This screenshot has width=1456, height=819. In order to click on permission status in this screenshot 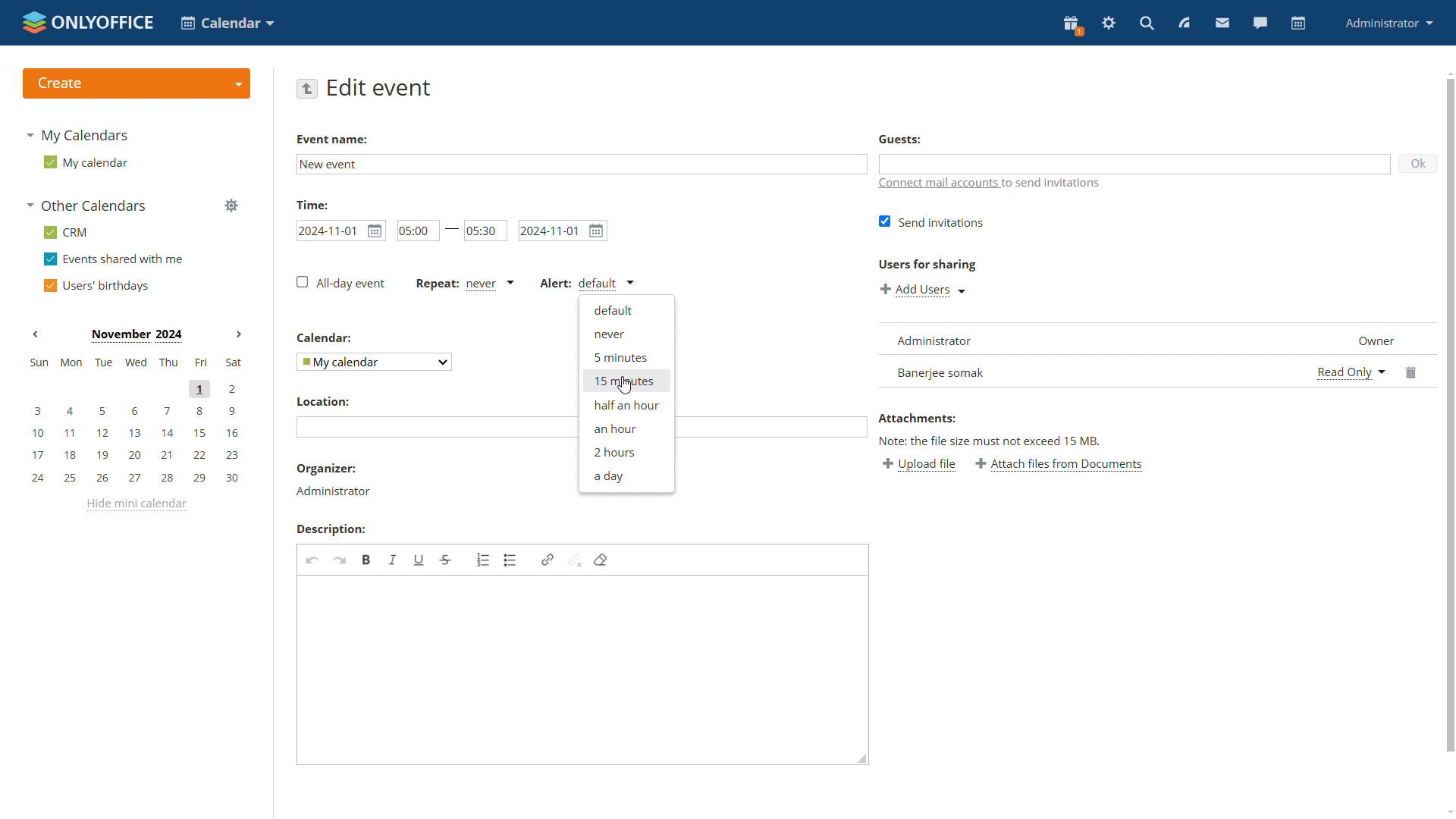, I will do `click(1351, 371)`.